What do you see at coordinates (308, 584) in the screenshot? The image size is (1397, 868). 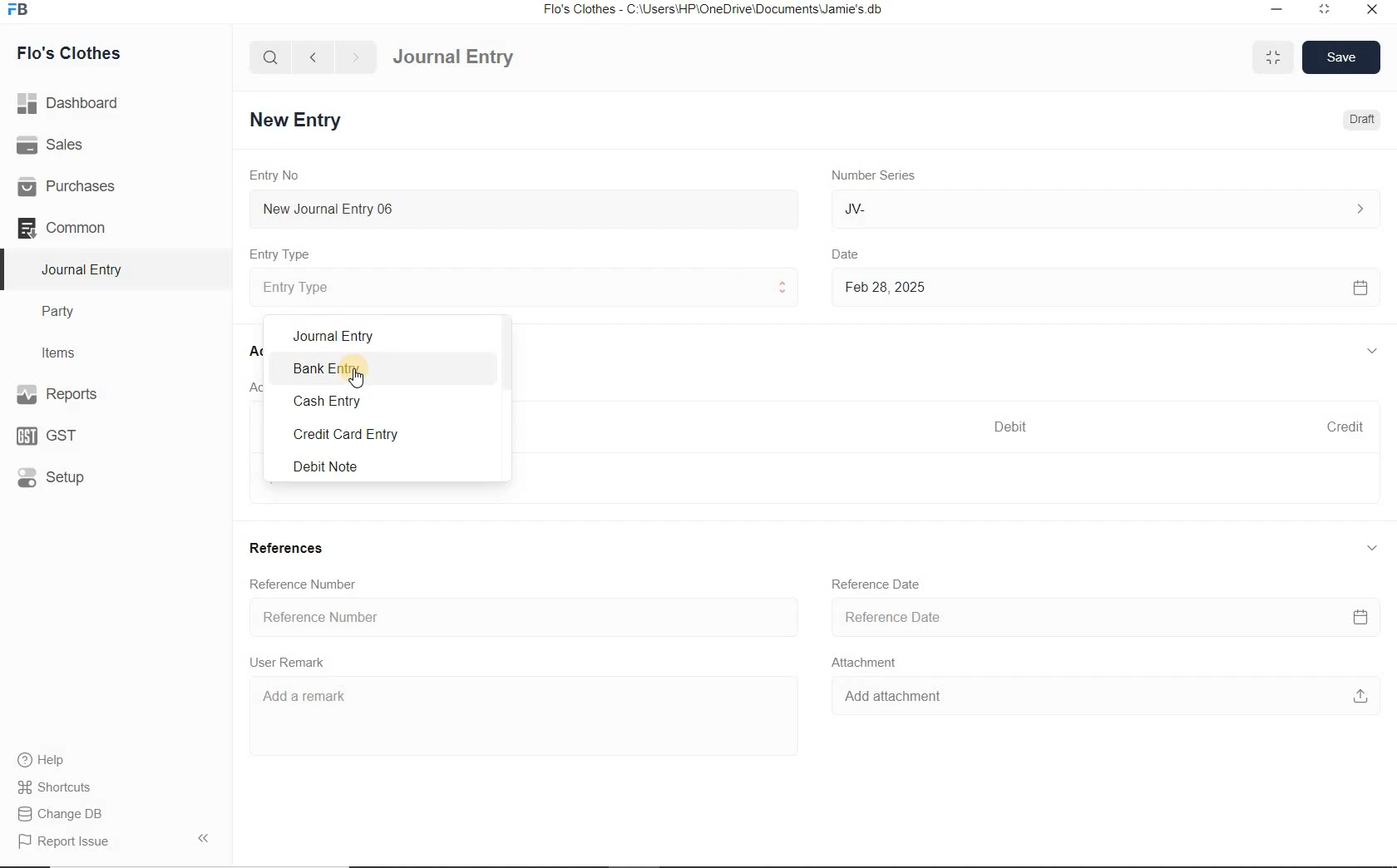 I see `Reference Number` at bounding box center [308, 584].